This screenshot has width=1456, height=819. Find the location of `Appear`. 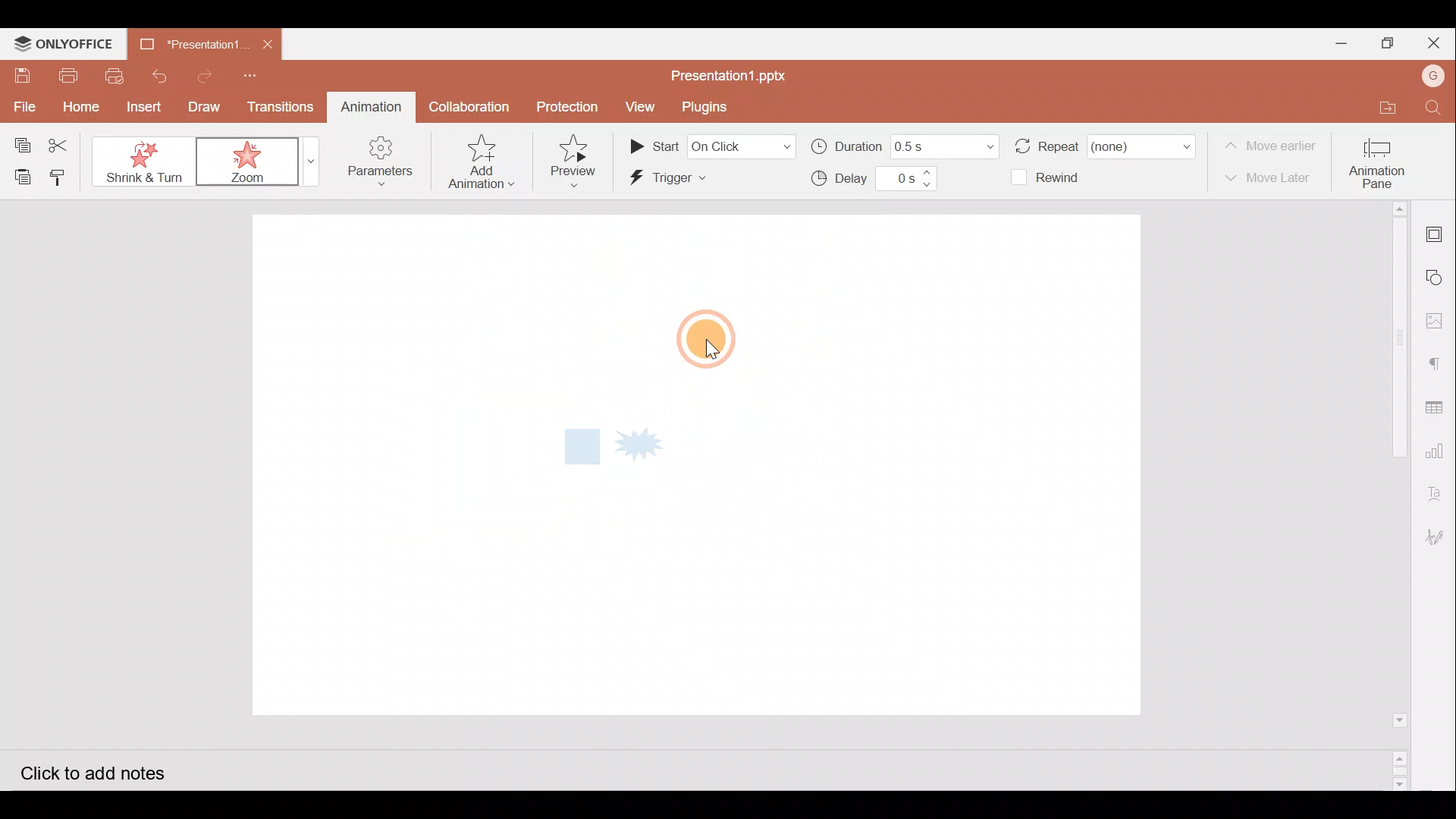

Appear is located at coordinates (240, 162).